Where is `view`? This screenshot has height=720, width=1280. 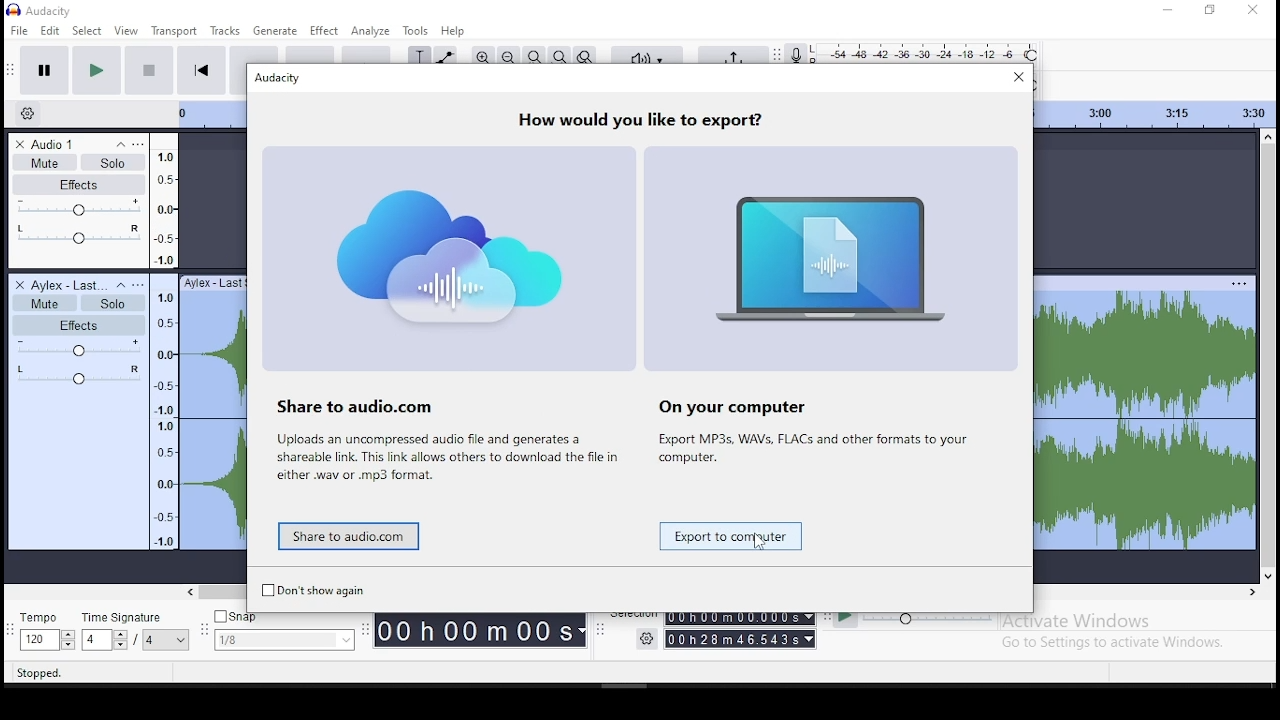
view is located at coordinates (127, 32).